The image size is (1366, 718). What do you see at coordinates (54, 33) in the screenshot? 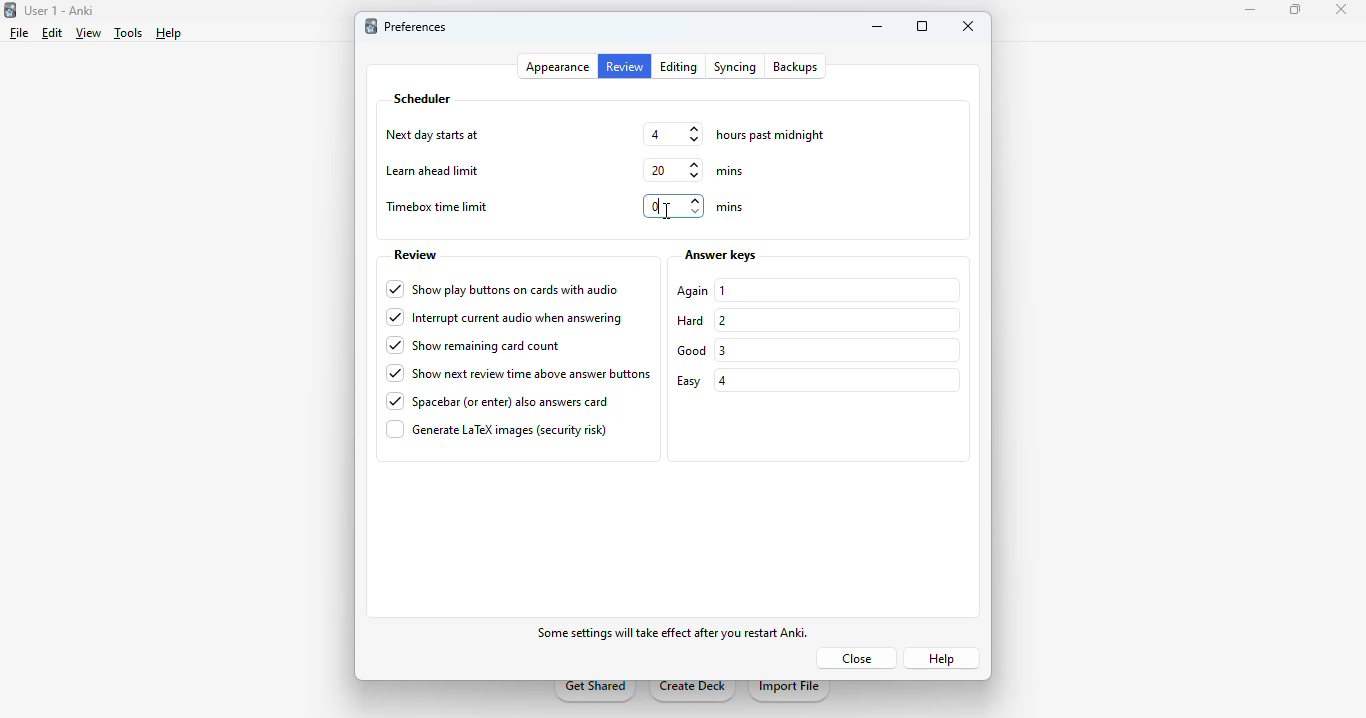
I see `edit` at bounding box center [54, 33].